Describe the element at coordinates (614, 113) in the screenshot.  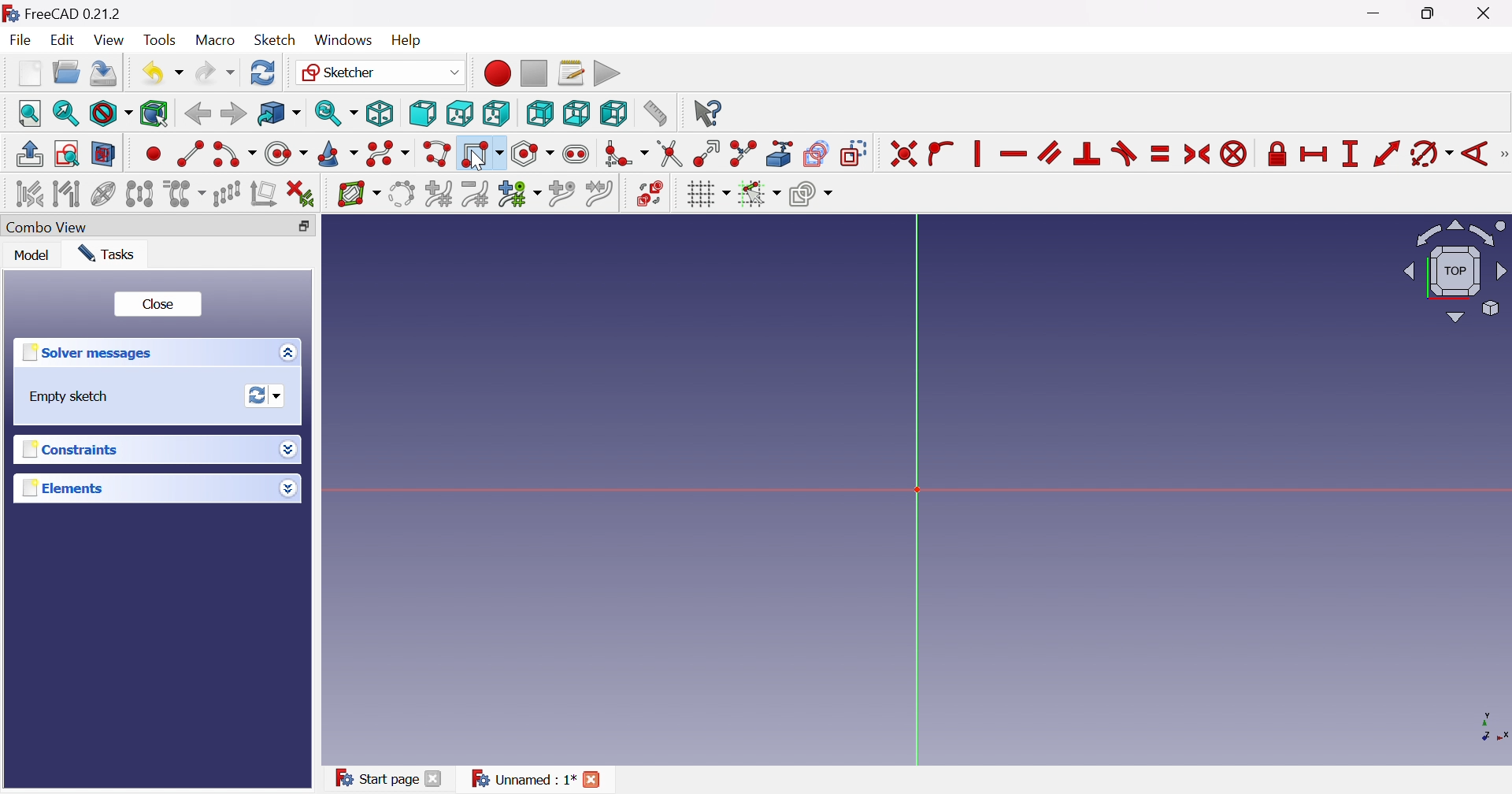
I see `Left` at that location.